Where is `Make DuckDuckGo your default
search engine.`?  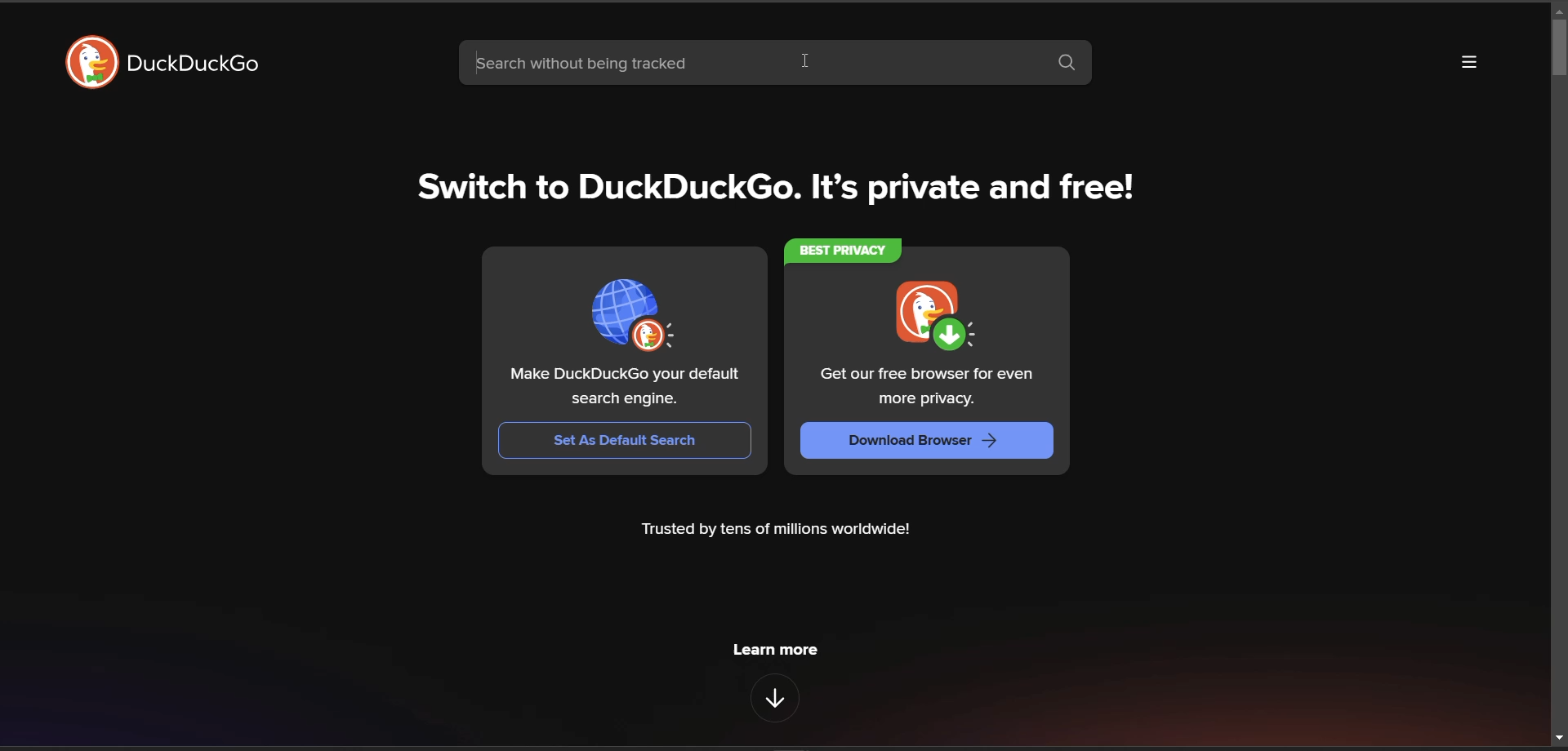
Make DuckDuckGo your default
search engine. is located at coordinates (623, 387).